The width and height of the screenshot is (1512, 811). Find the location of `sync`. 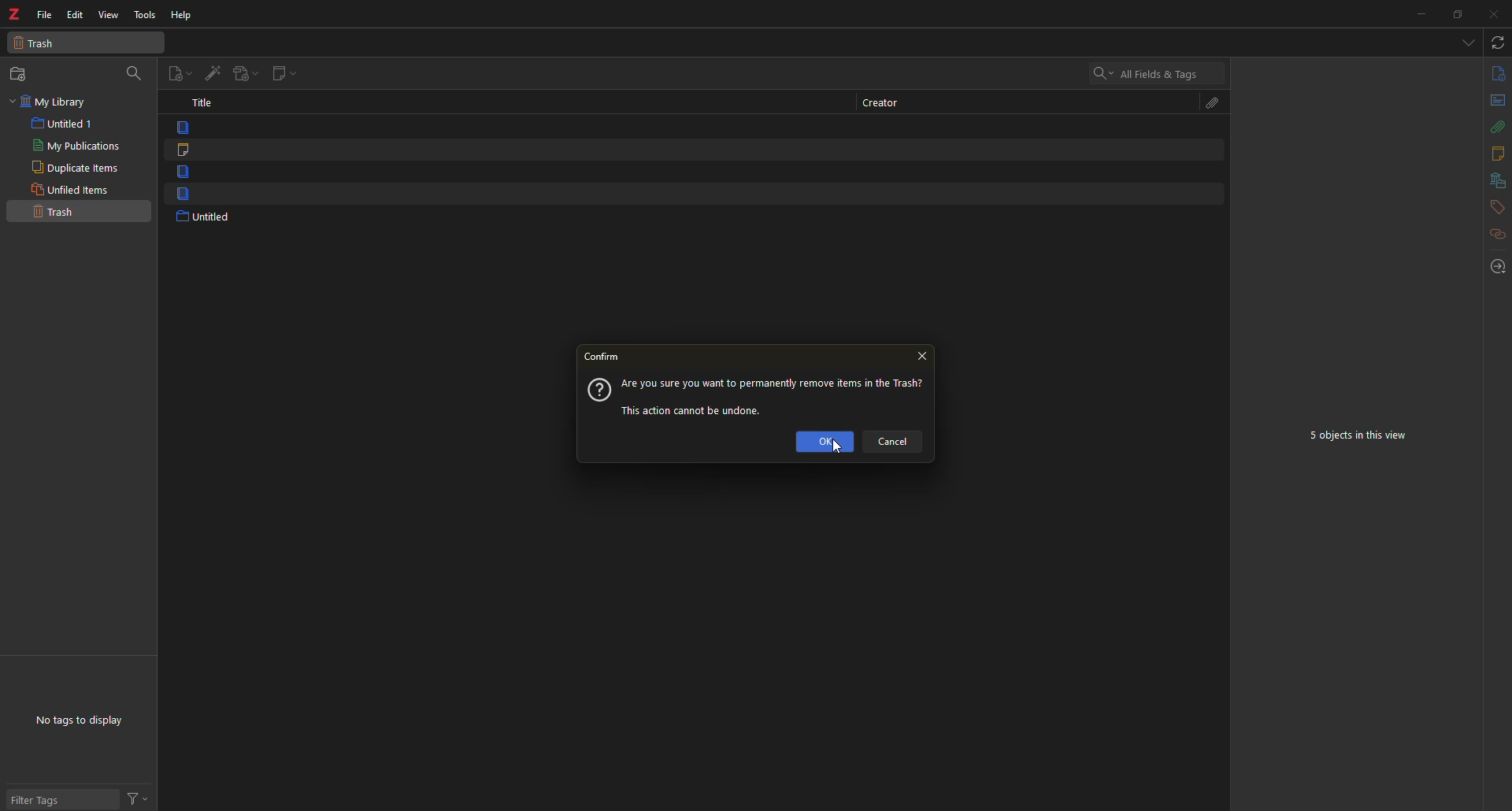

sync is located at coordinates (1496, 43).